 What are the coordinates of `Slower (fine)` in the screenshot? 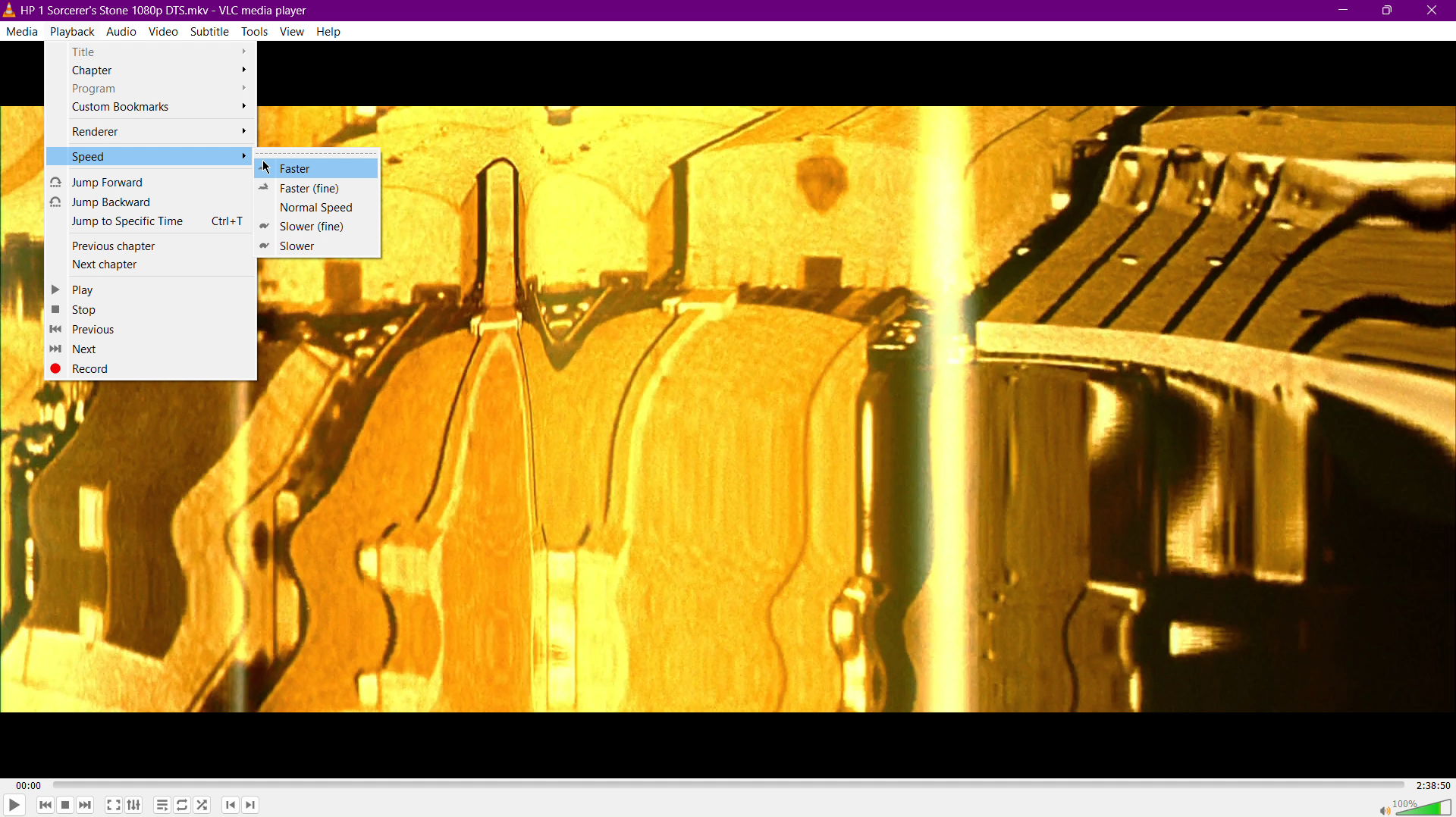 It's located at (308, 227).